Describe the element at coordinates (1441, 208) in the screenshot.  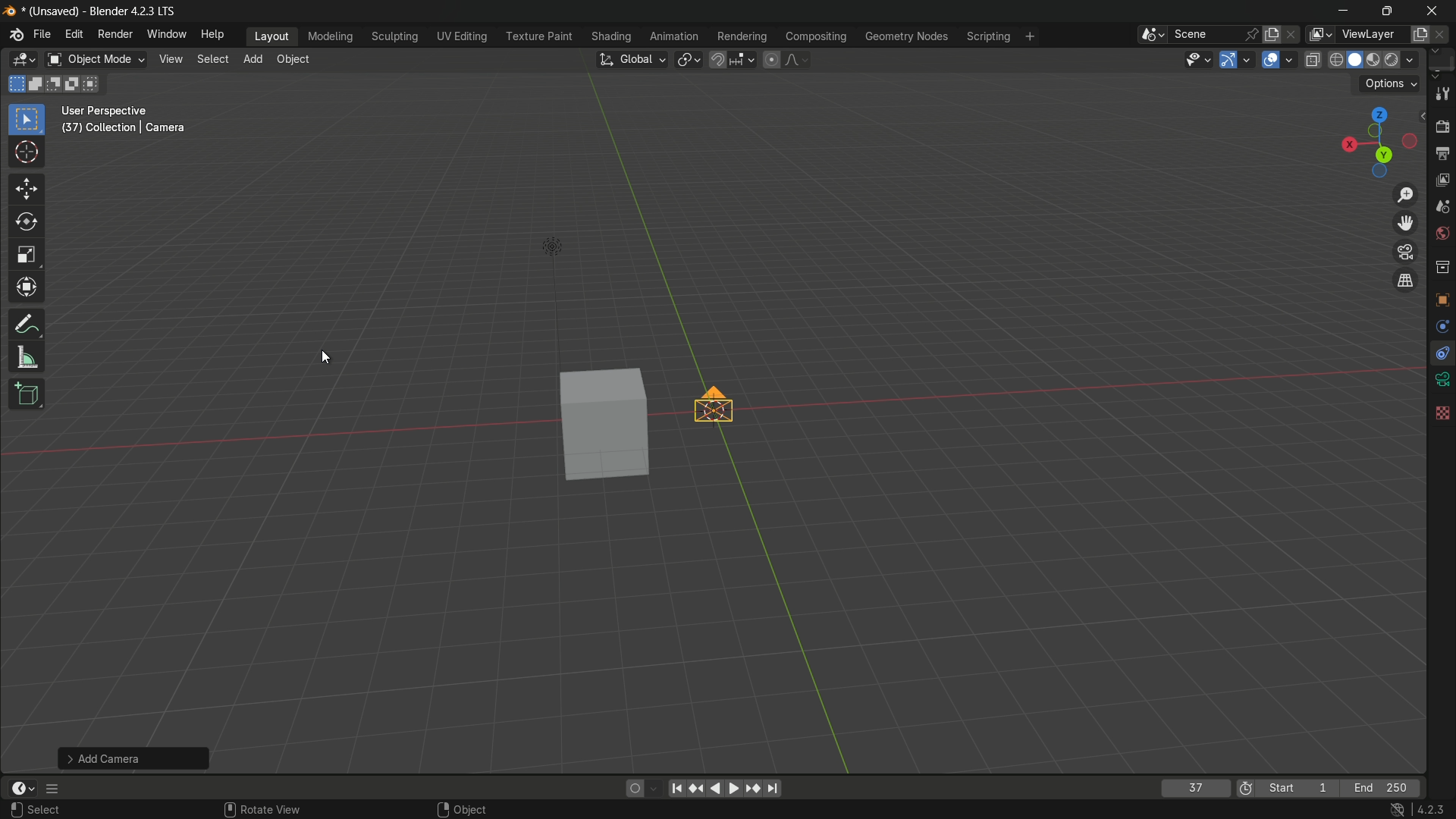
I see `scene` at that location.